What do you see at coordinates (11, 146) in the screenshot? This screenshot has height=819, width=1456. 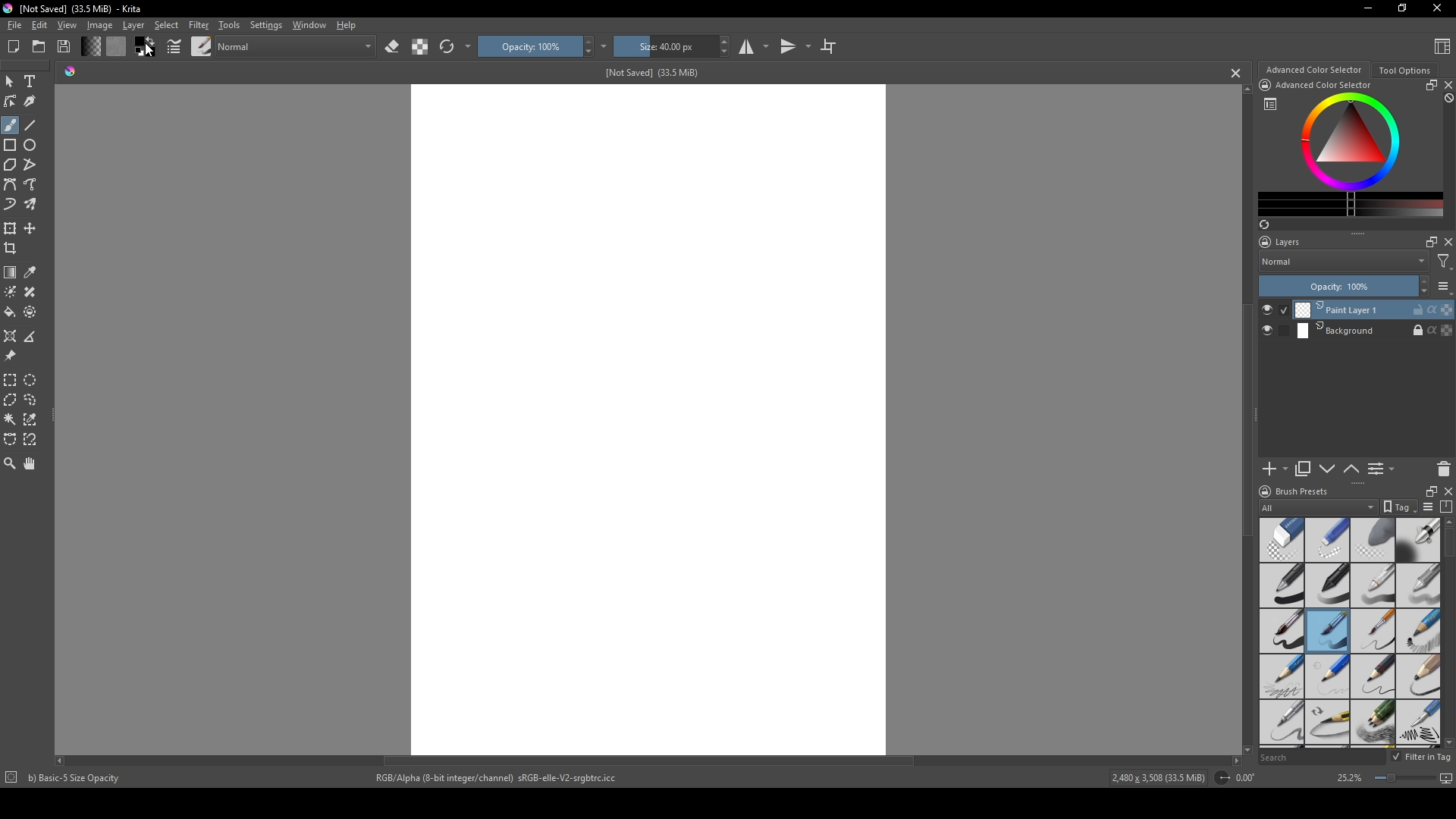 I see `rectangle` at bounding box center [11, 146].